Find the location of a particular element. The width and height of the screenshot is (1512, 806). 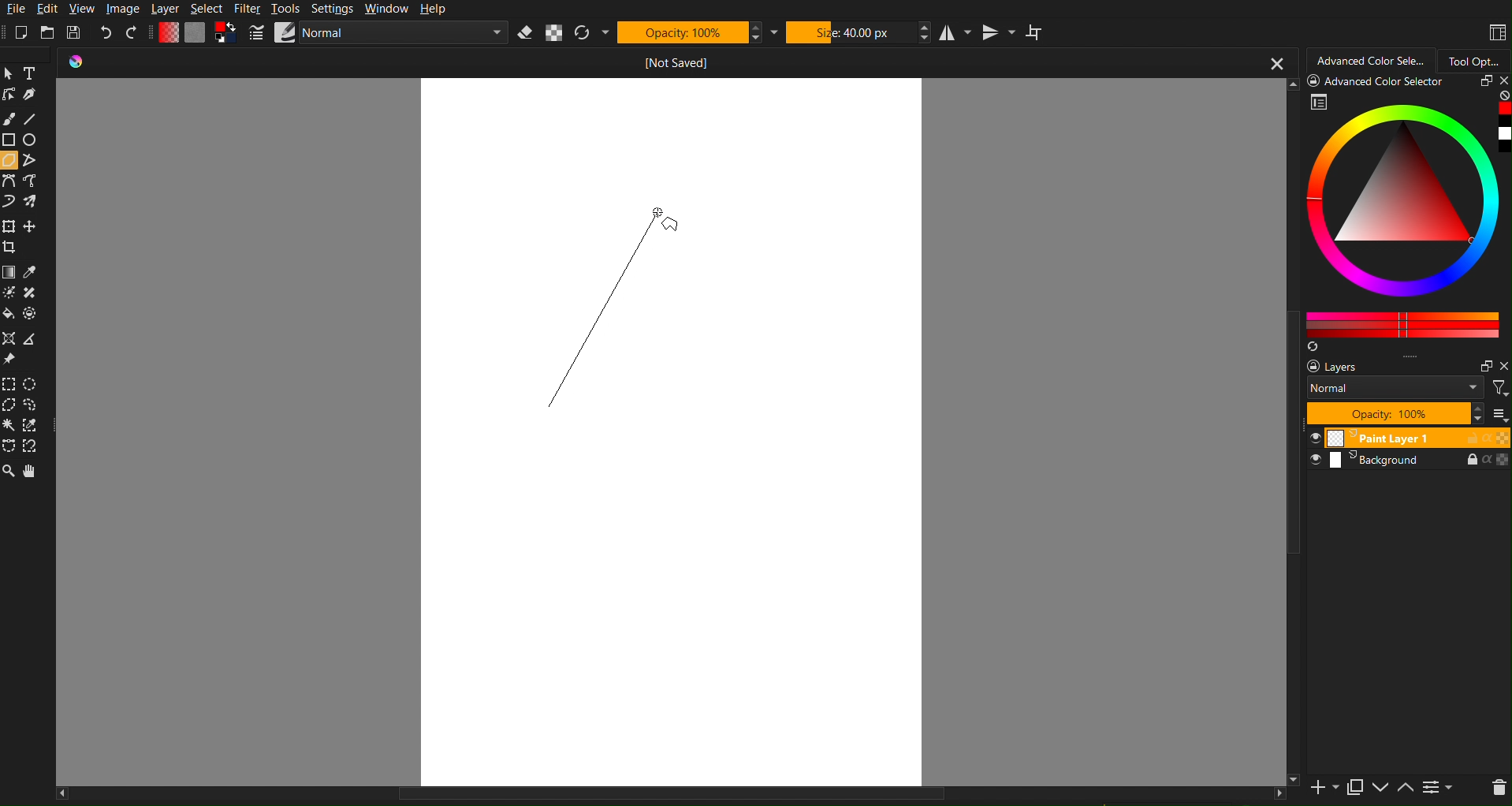

background is located at coordinates (1409, 462).